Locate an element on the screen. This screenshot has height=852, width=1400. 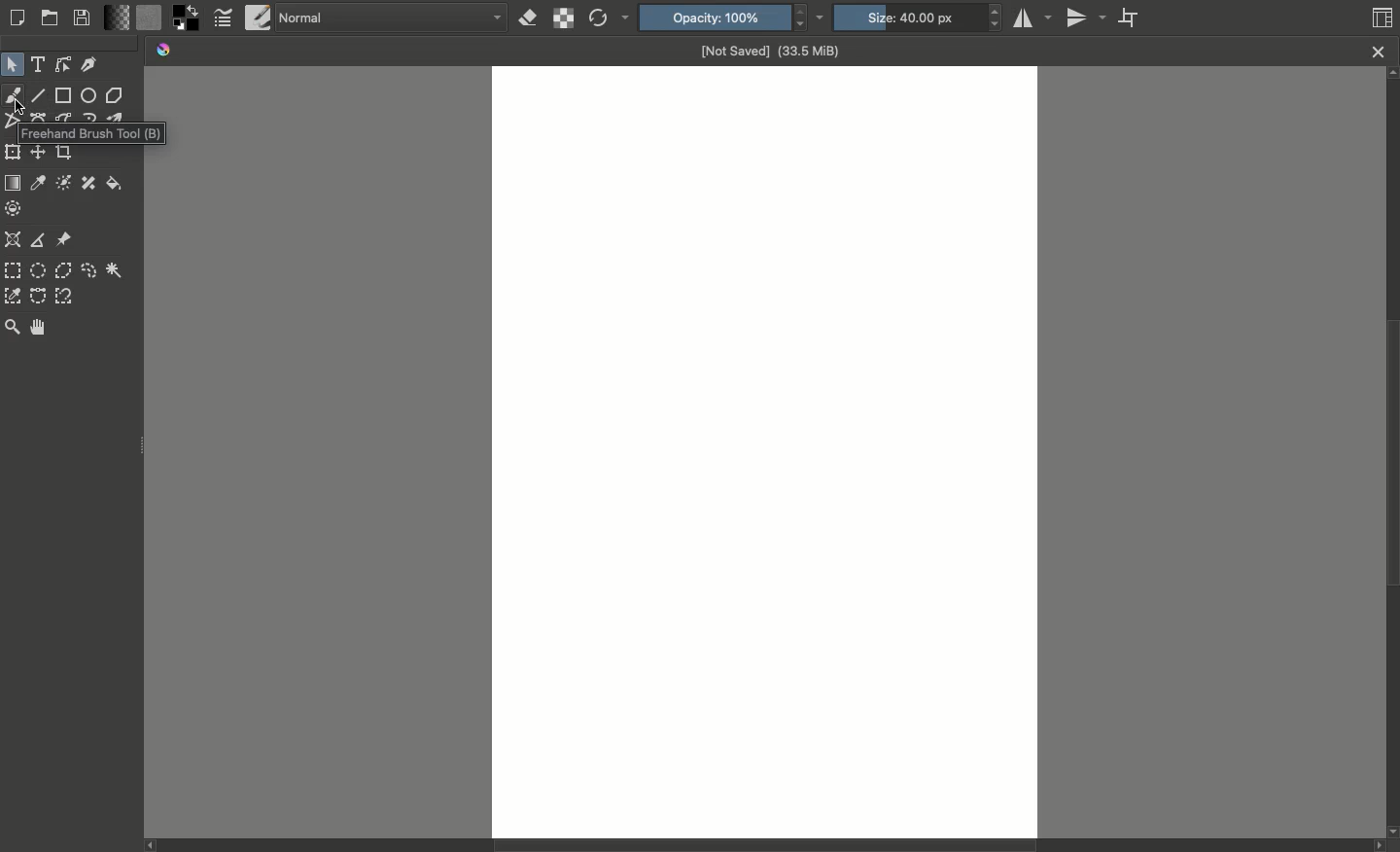
Fill gradients is located at coordinates (120, 18).